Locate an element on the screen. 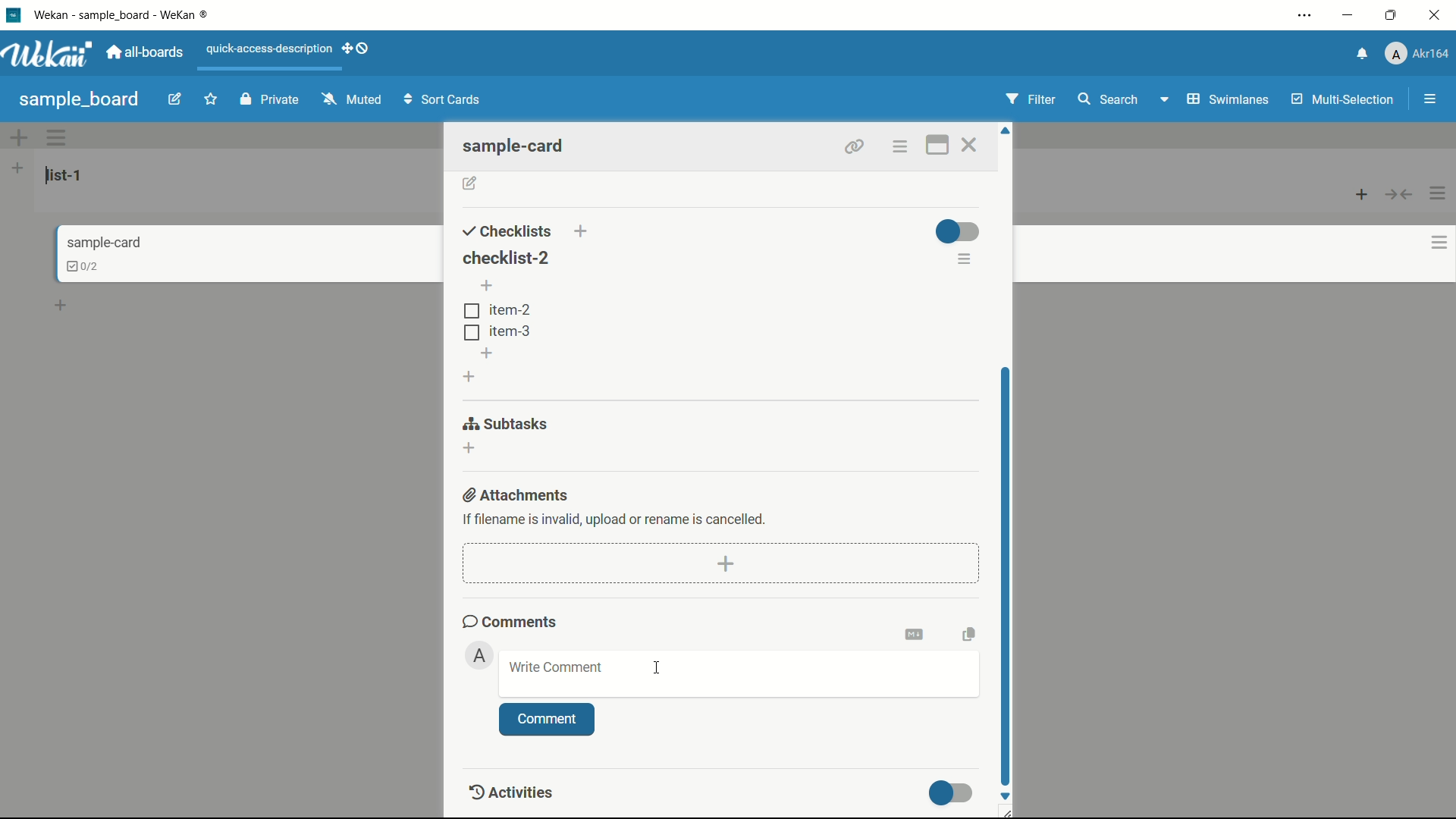  button is located at coordinates (1008, 583).